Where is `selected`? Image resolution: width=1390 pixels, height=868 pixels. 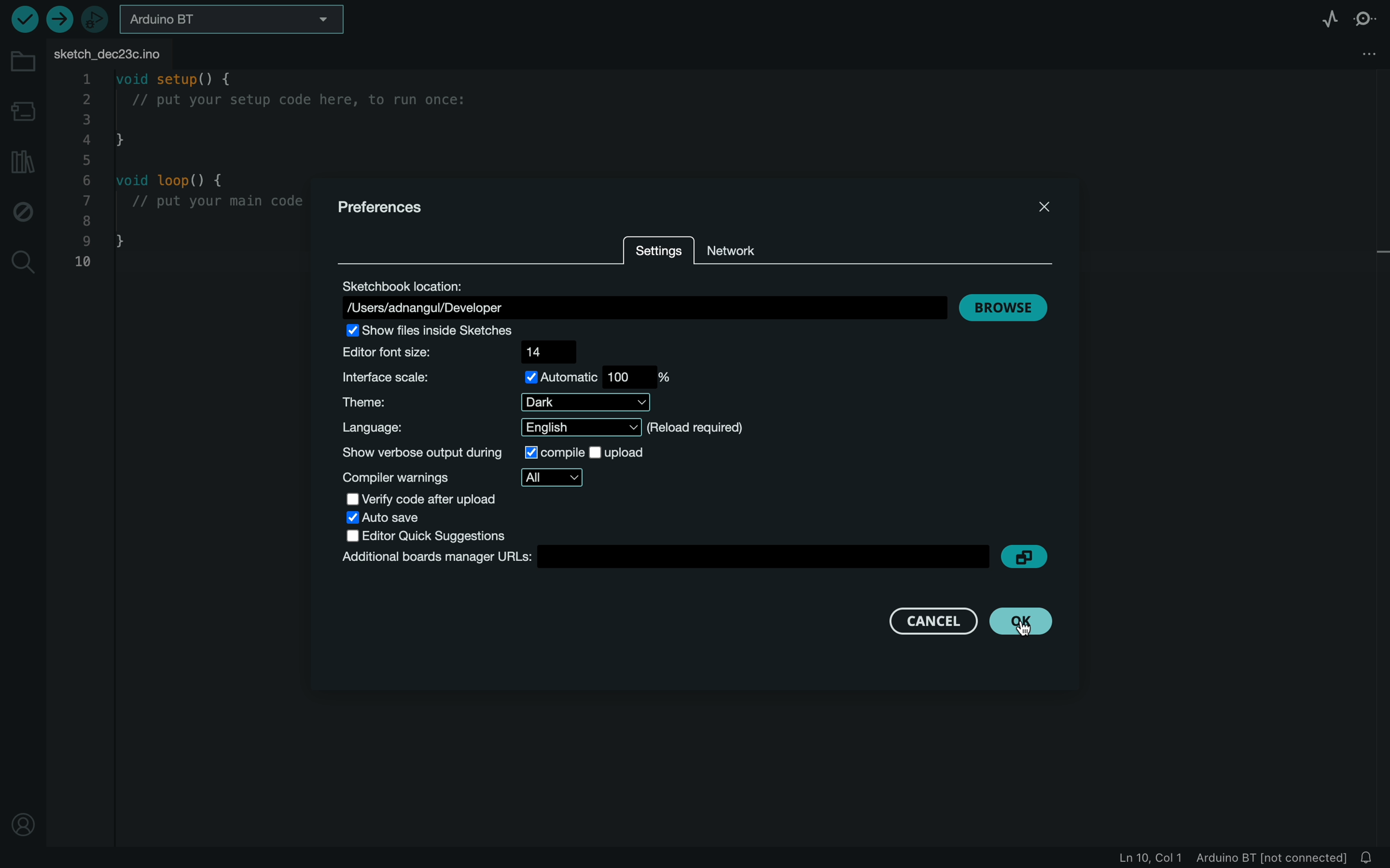
selected is located at coordinates (551, 451).